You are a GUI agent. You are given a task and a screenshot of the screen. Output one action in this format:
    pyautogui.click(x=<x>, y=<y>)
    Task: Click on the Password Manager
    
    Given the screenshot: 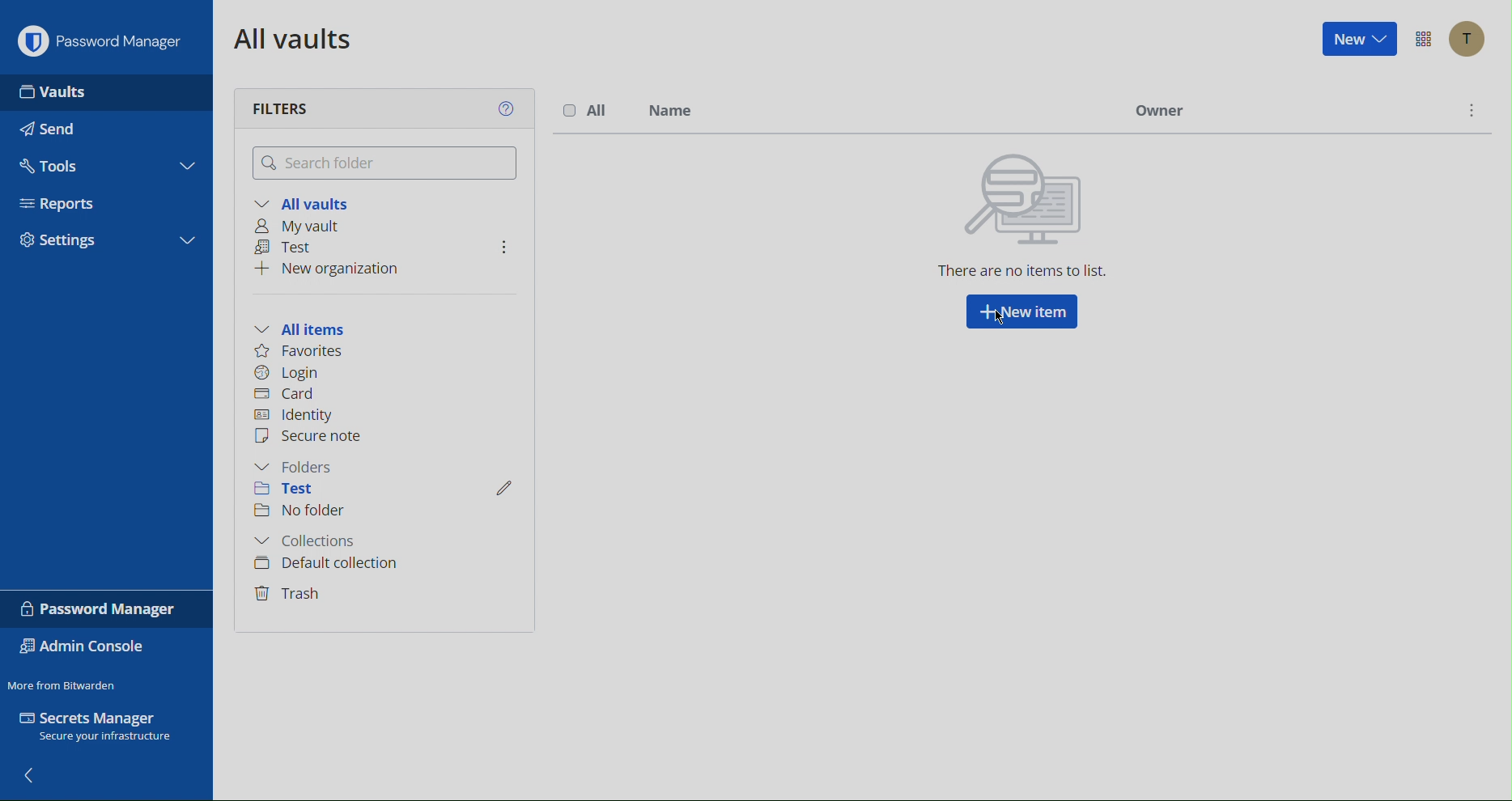 What is the action you would take?
    pyautogui.click(x=110, y=42)
    